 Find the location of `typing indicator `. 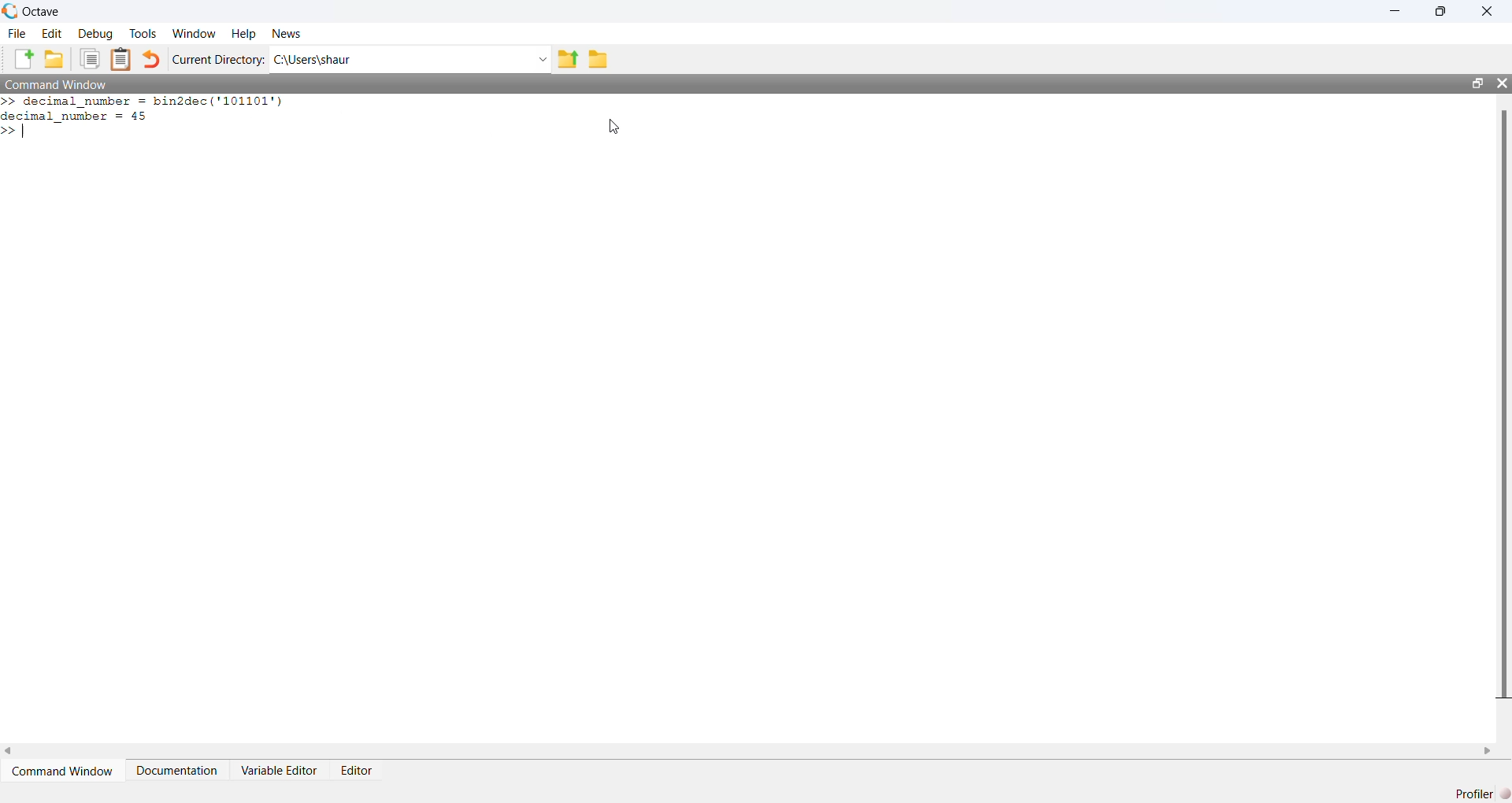

typing indicator  is located at coordinates (24, 130).